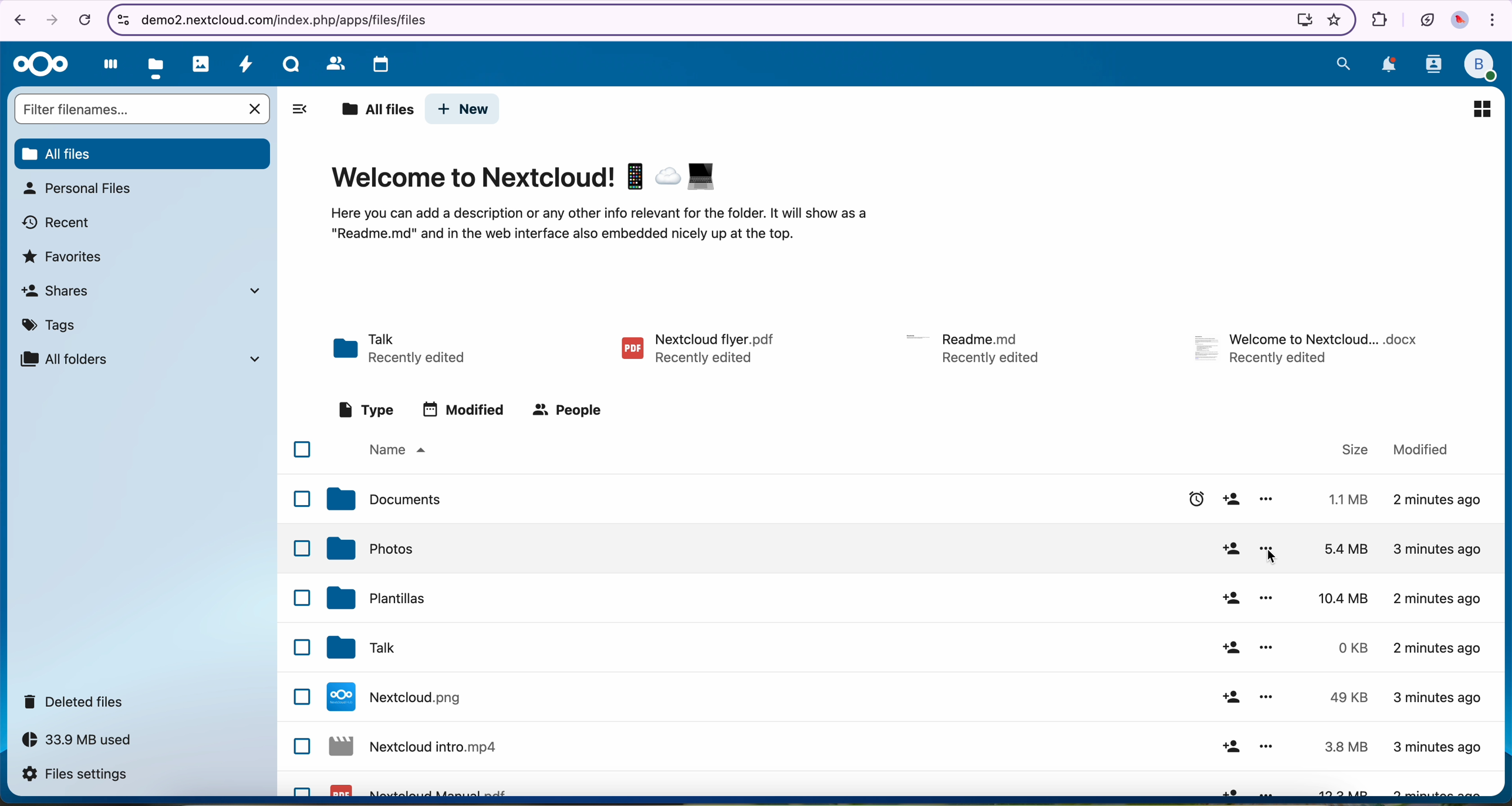  I want to click on share, so click(1227, 550).